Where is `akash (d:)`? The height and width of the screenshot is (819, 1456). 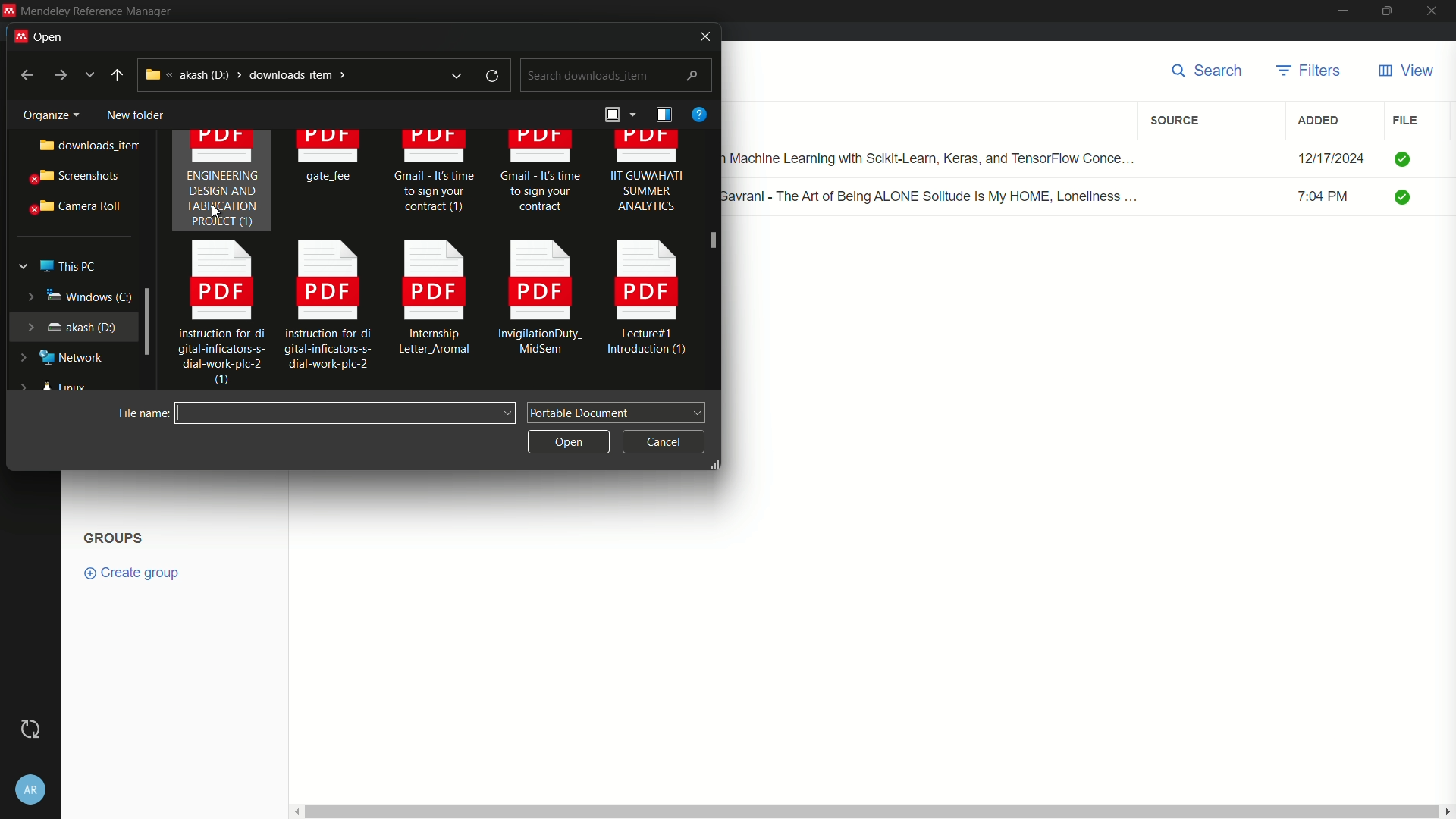 akash (d:) is located at coordinates (71, 325).